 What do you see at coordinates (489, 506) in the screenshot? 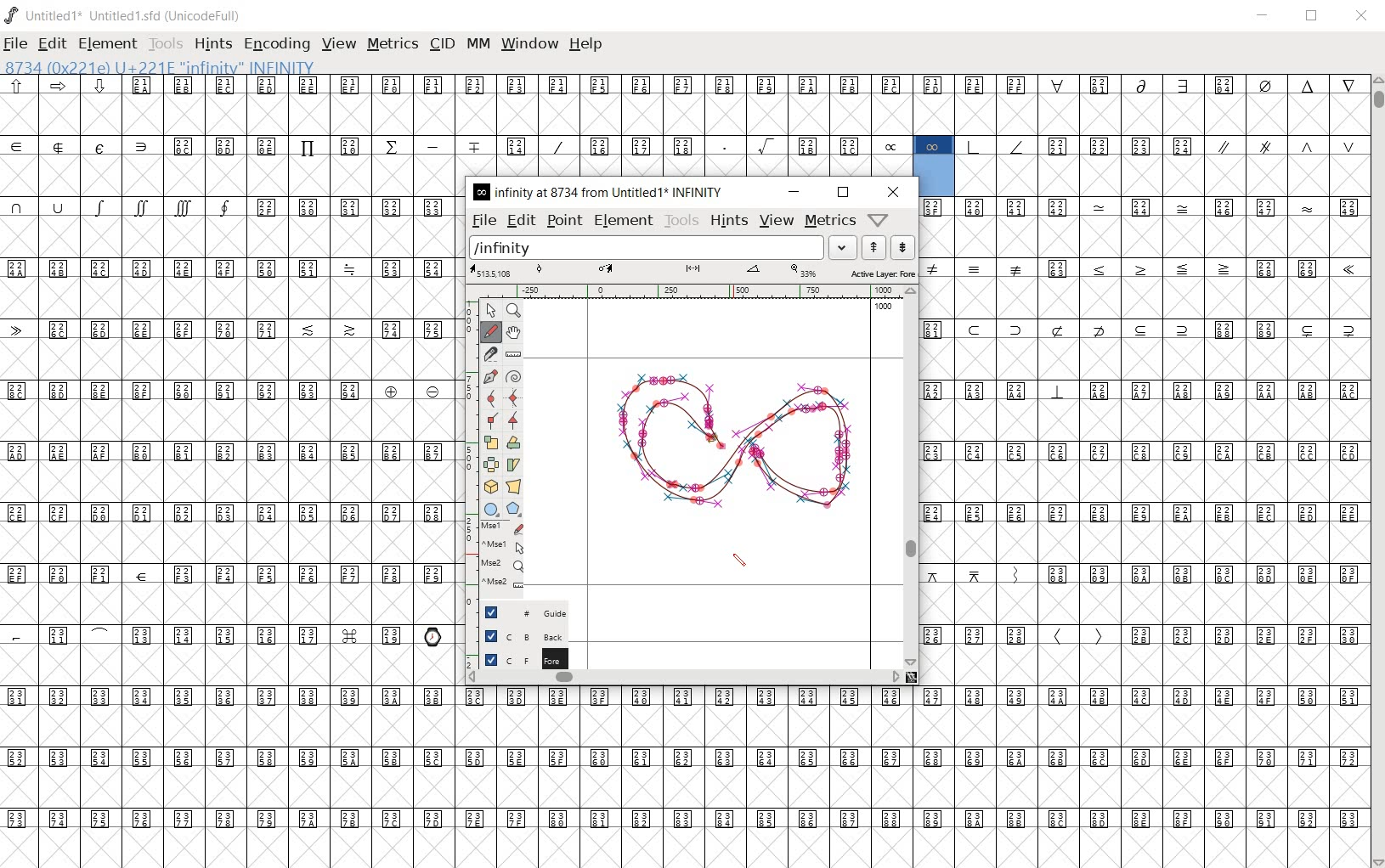
I see `rectangle or ellipse` at bounding box center [489, 506].